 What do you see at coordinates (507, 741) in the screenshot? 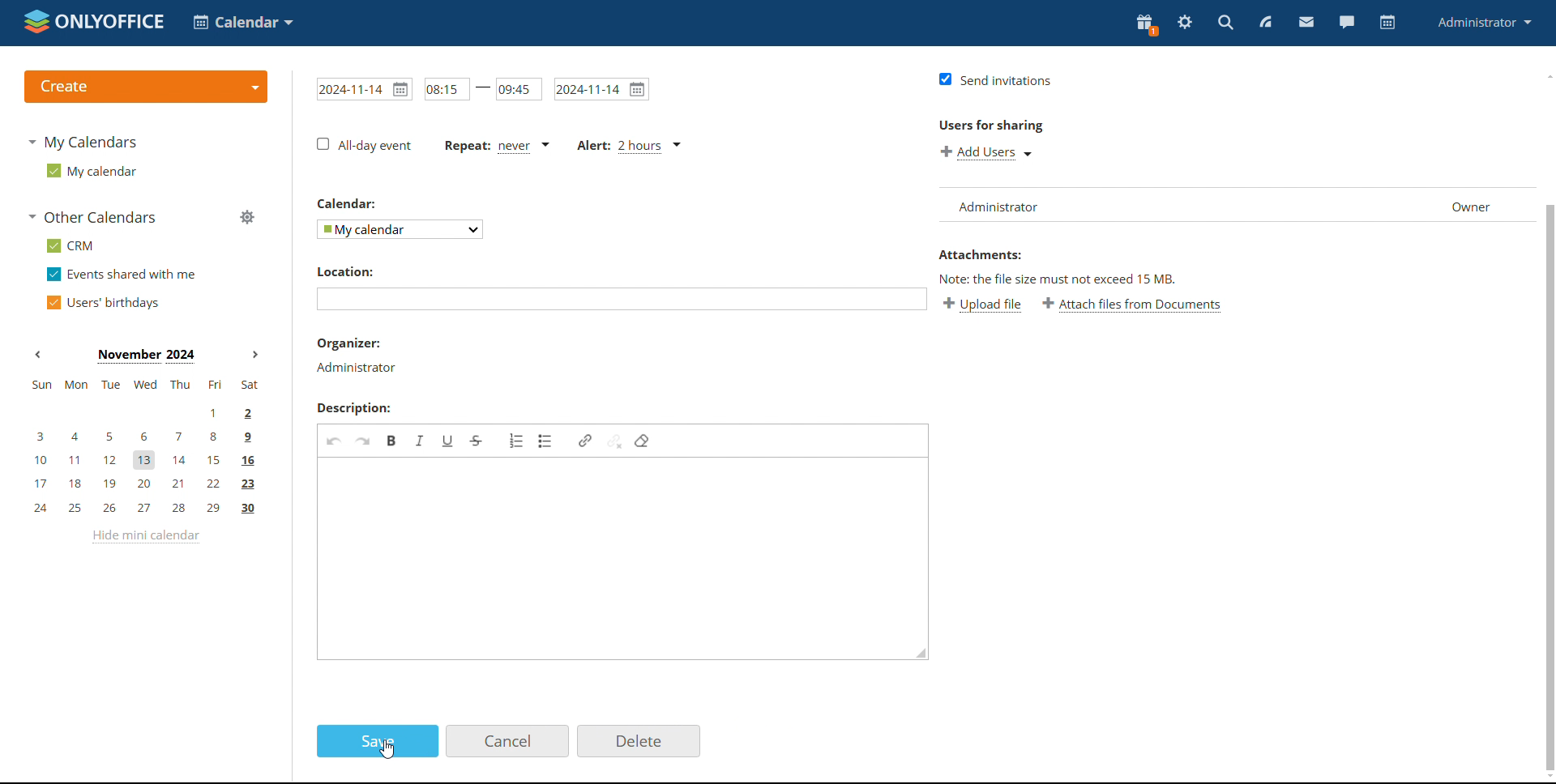
I see `cancel` at bounding box center [507, 741].